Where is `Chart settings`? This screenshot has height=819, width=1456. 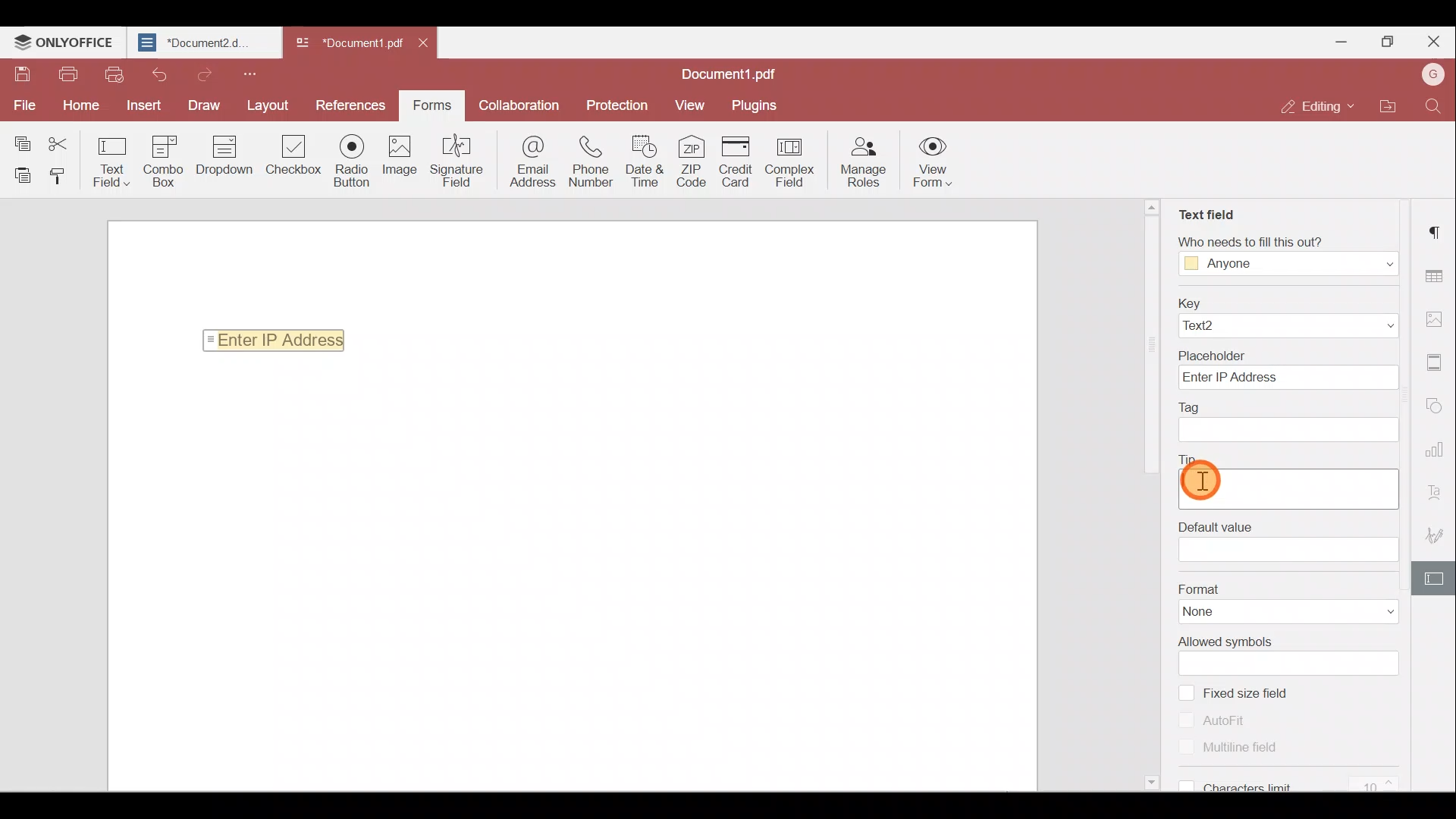 Chart settings is located at coordinates (1437, 448).